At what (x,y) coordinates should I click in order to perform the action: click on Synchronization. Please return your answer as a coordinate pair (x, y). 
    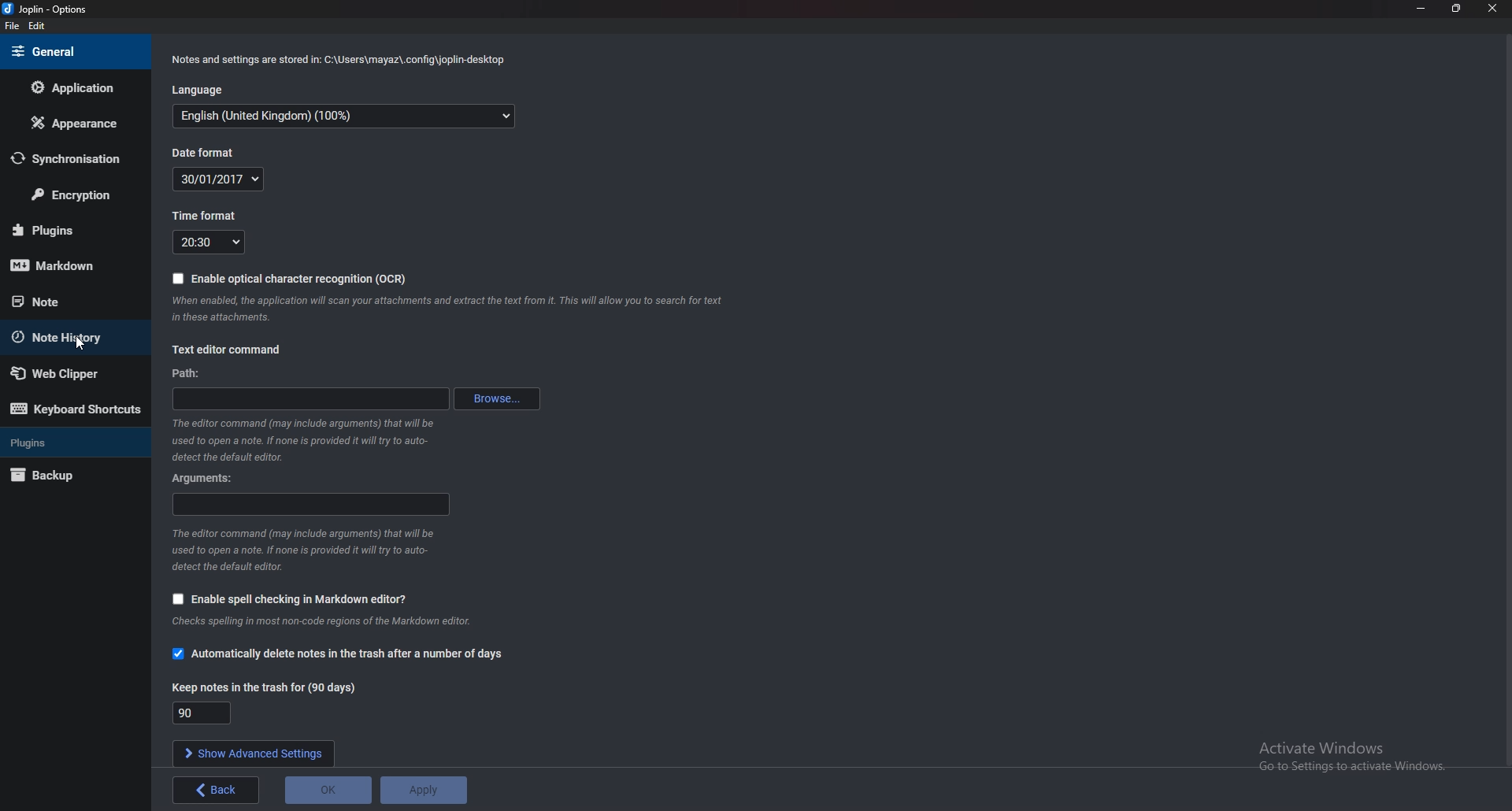
    Looking at the image, I should click on (73, 159).